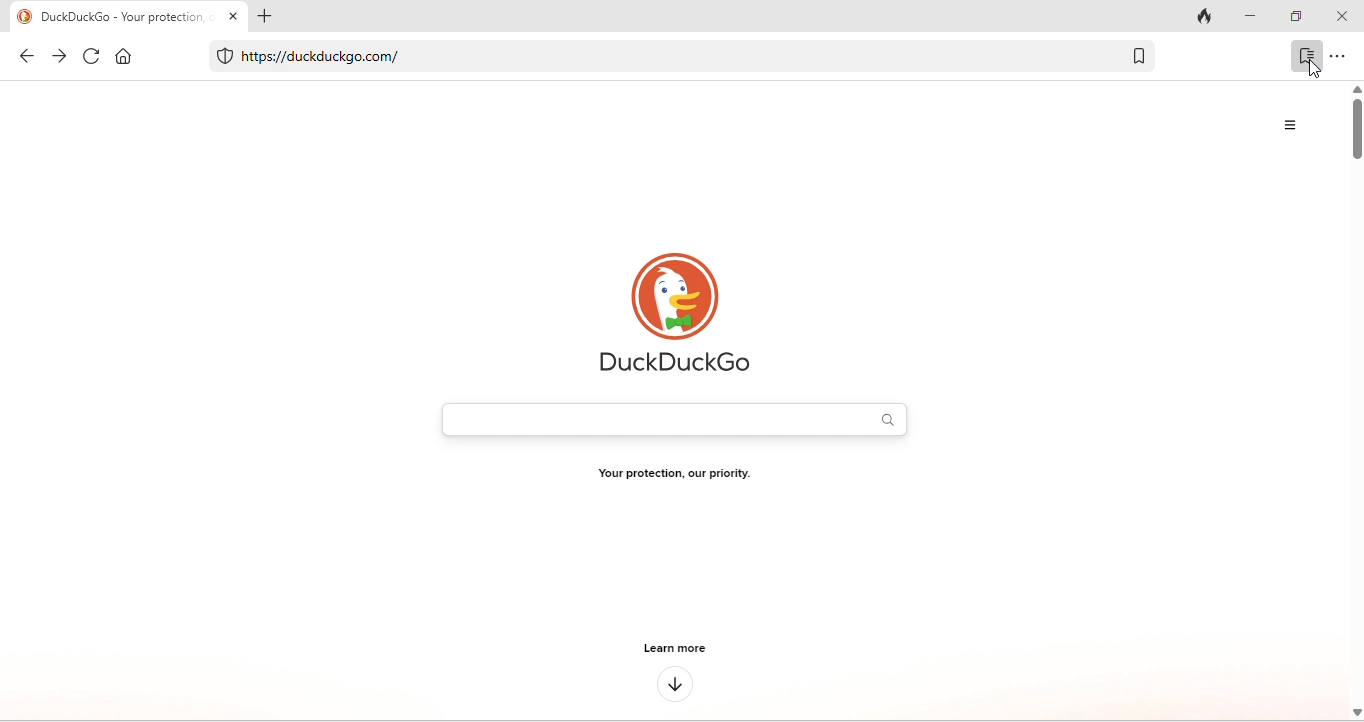 The width and height of the screenshot is (1364, 722). Describe the element at coordinates (1305, 57) in the screenshot. I see `bookmark` at that location.